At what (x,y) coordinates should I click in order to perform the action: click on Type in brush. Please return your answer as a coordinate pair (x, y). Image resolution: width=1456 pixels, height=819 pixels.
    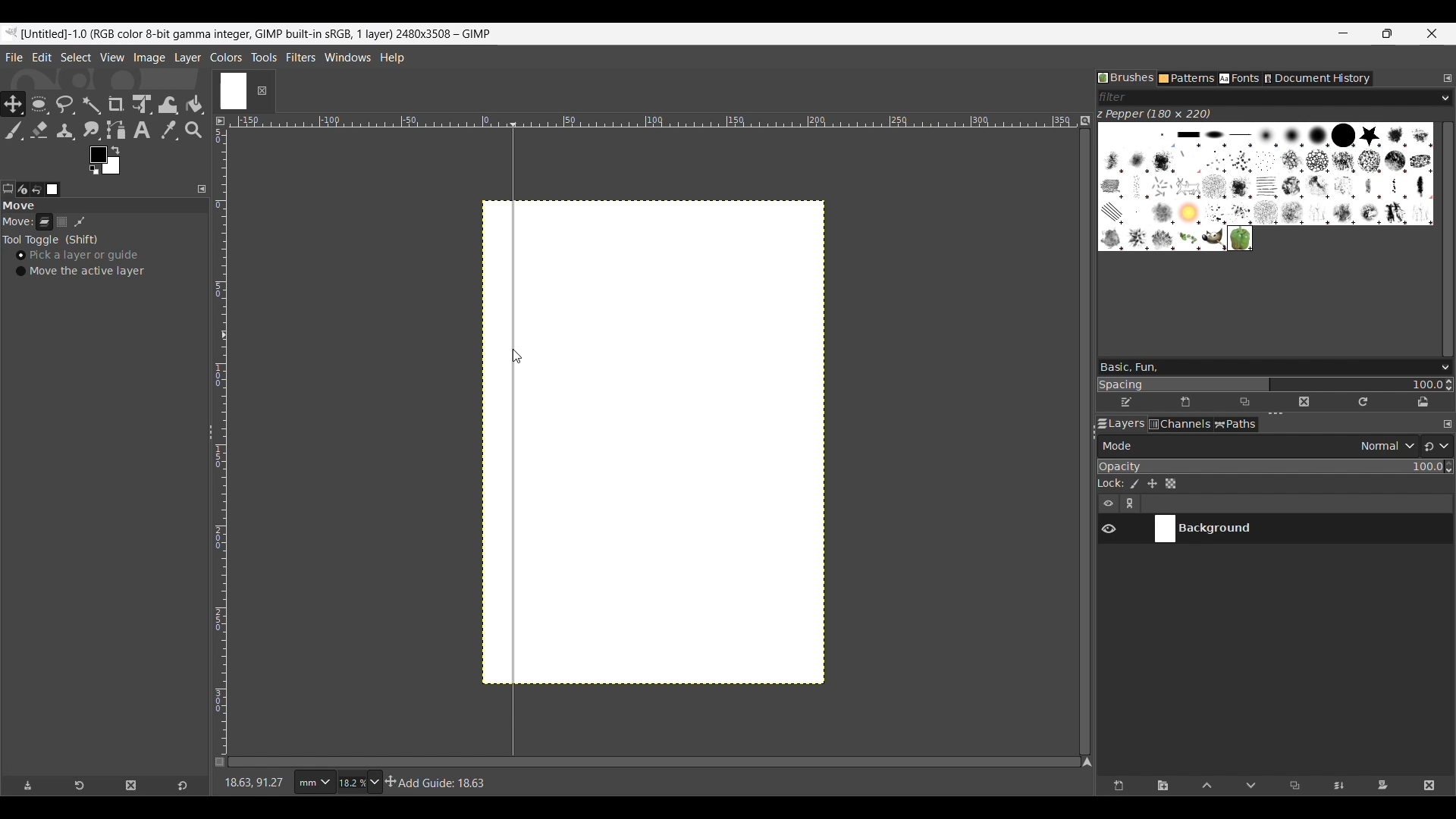
    Looking at the image, I should click on (1262, 367).